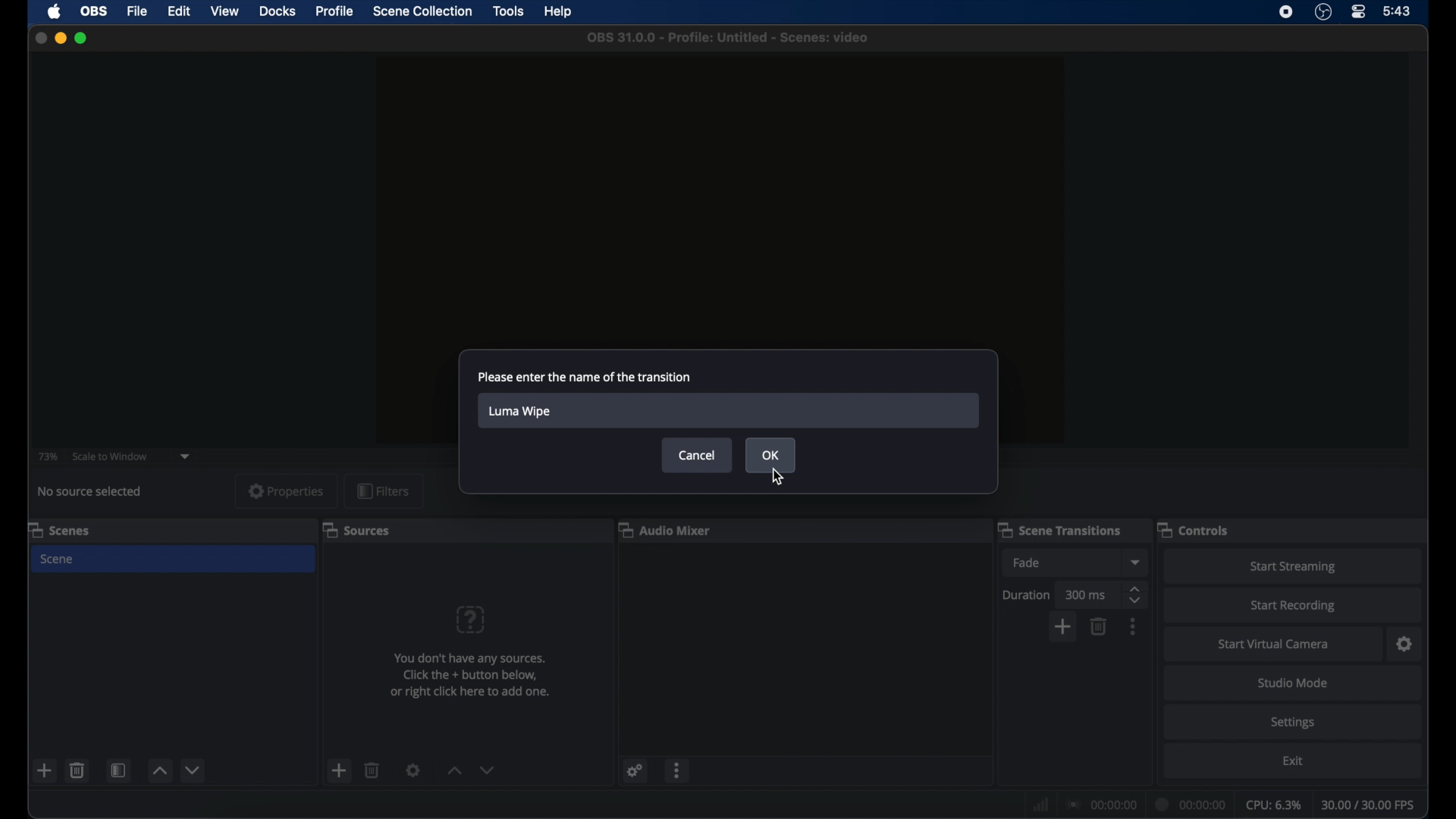 The height and width of the screenshot is (819, 1456). Describe the element at coordinates (1194, 529) in the screenshot. I see `controls` at that location.